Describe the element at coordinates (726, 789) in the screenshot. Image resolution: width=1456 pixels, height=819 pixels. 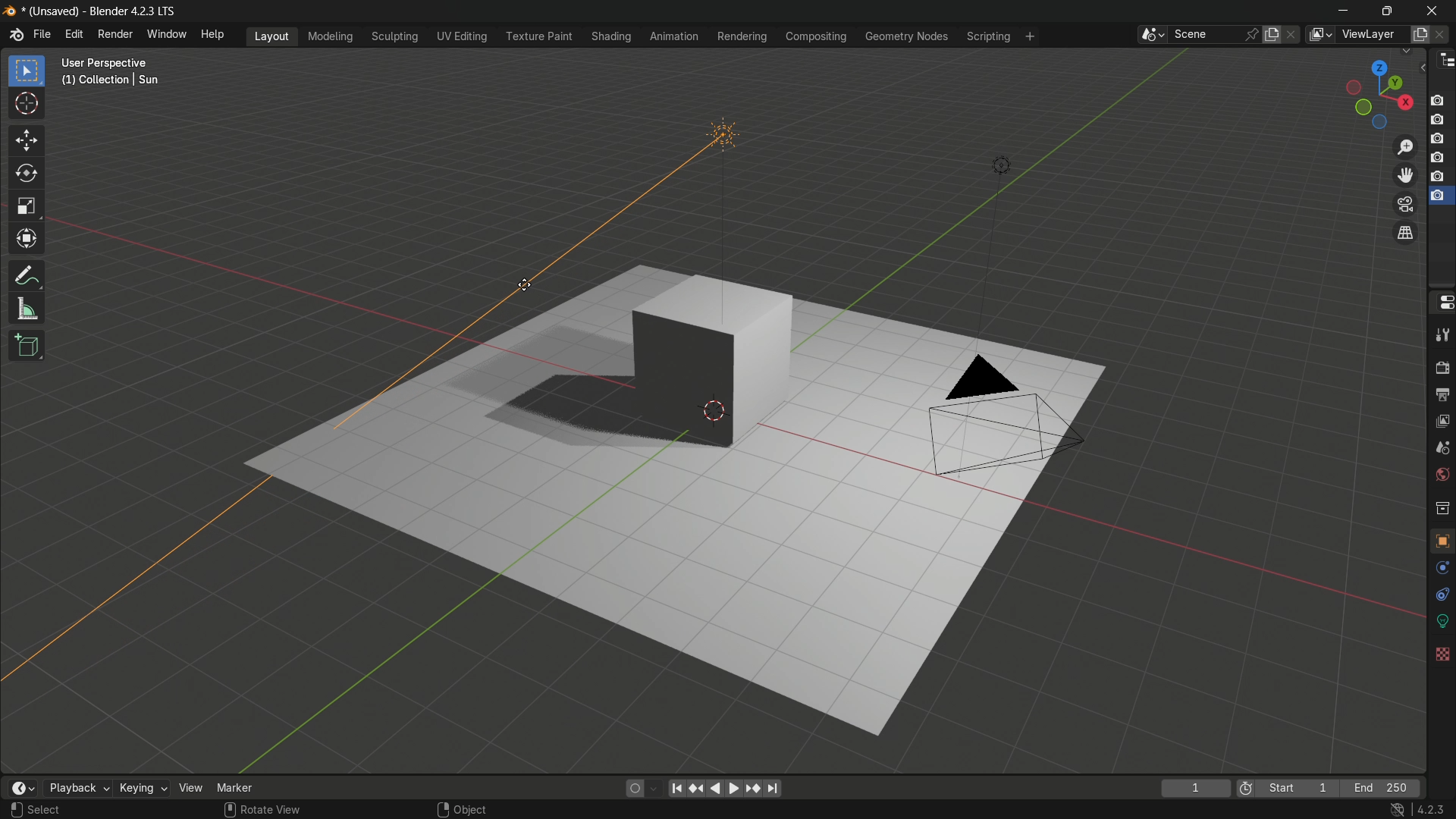
I see `play animation` at that location.